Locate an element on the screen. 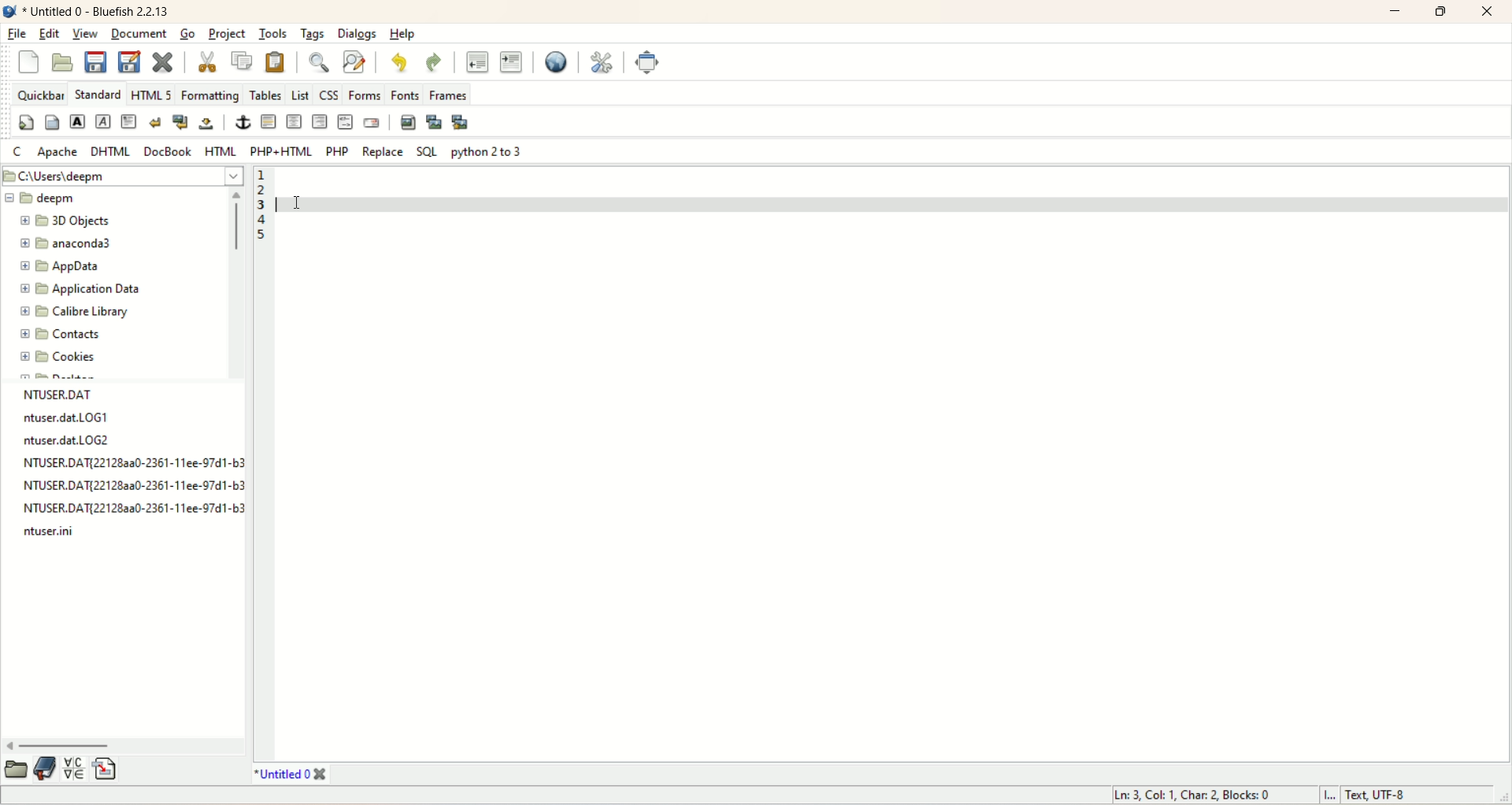  CSS is located at coordinates (330, 95).